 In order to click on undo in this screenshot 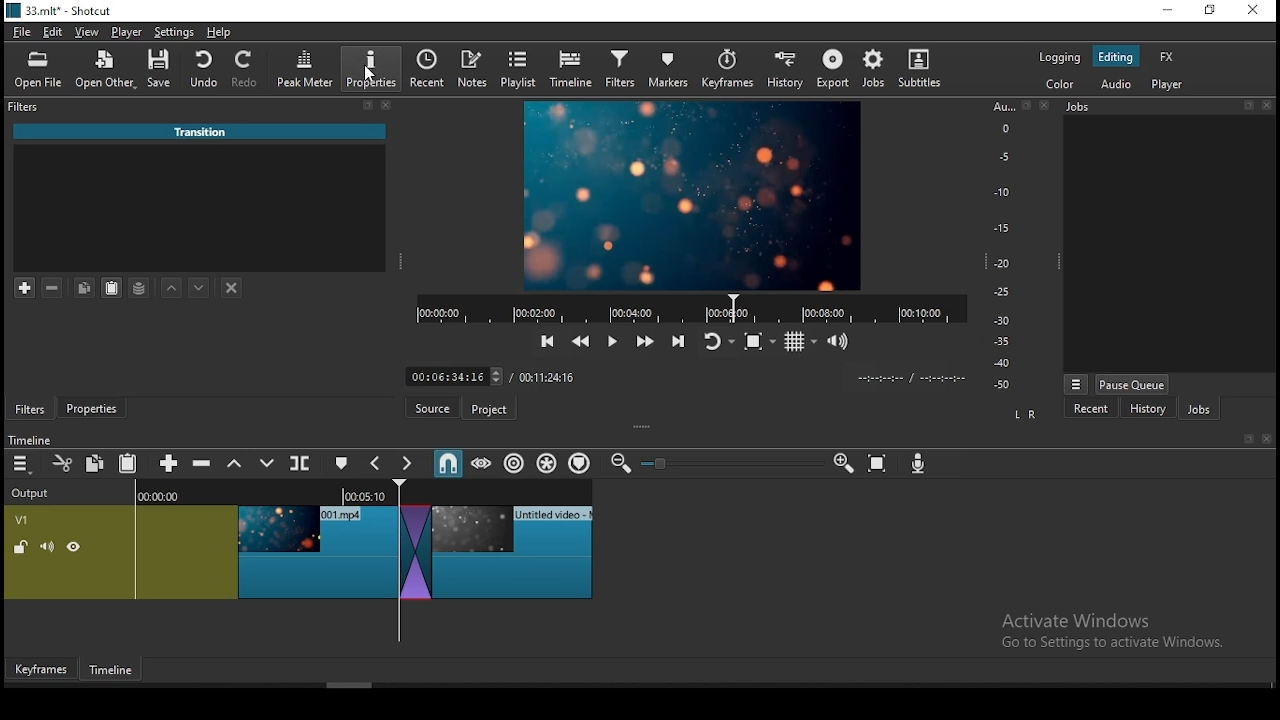, I will do `click(205, 70)`.